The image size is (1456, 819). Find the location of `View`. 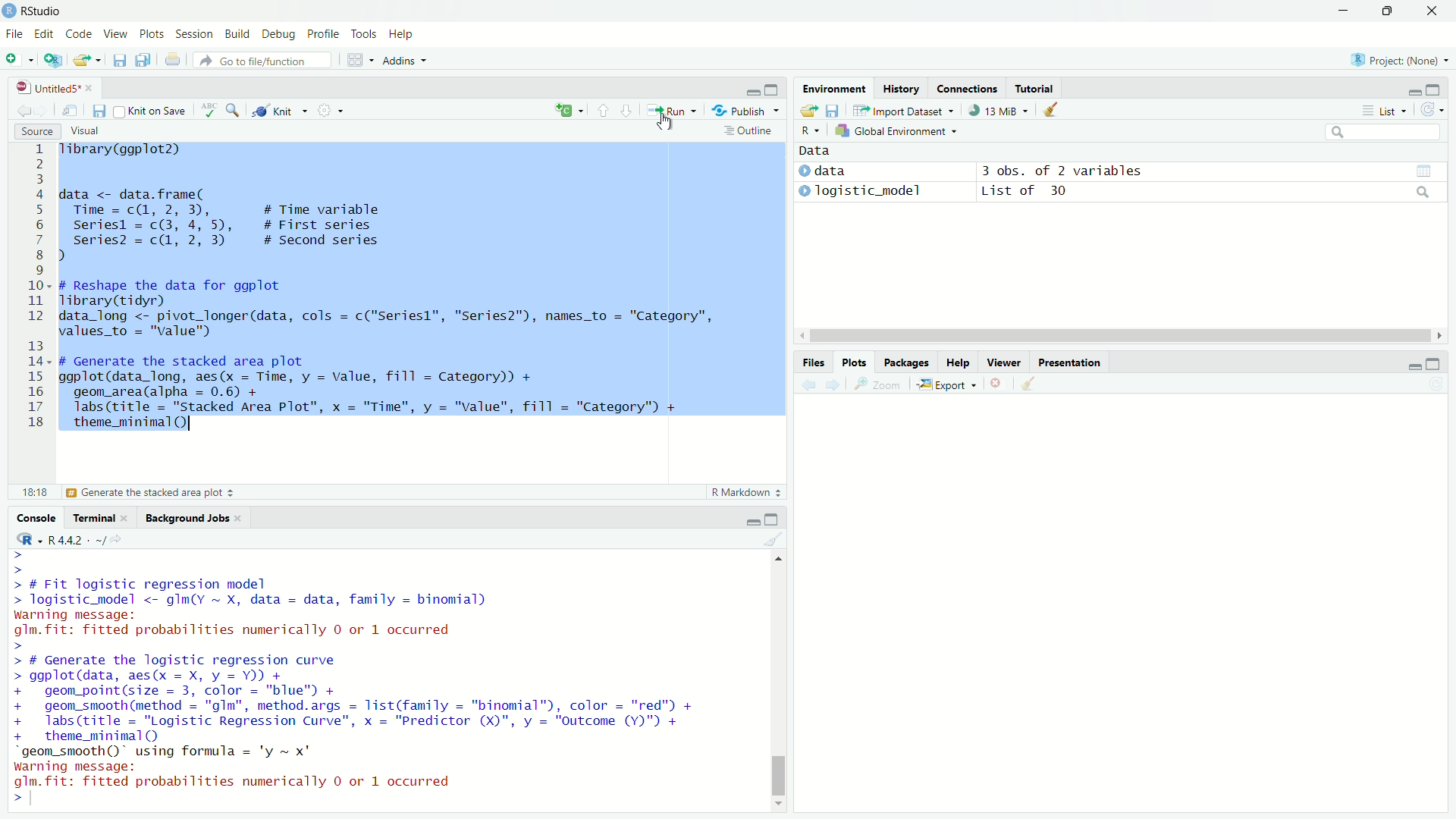

View is located at coordinates (115, 32).